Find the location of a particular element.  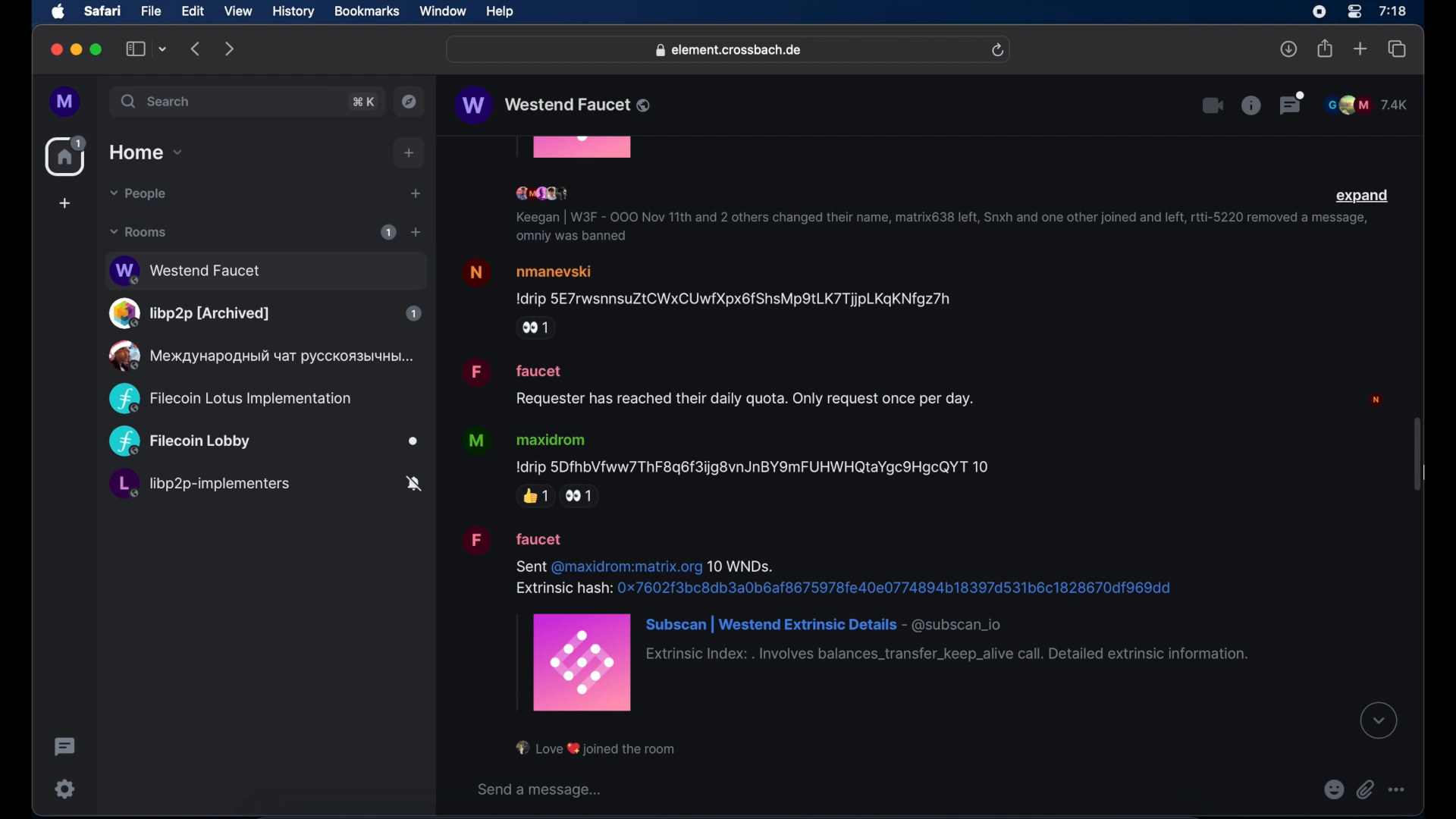

history is located at coordinates (293, 12).